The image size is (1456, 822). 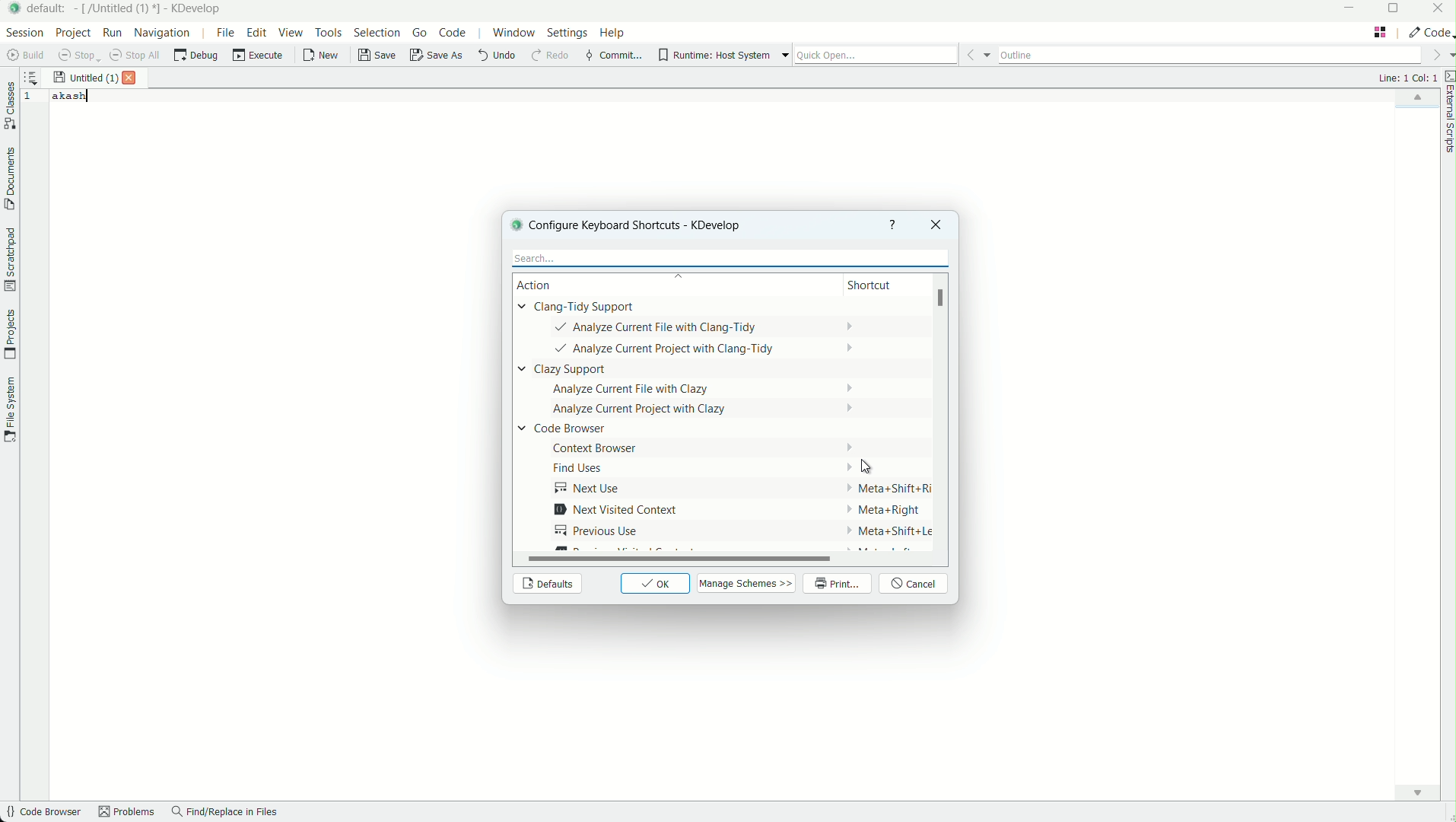 What do you see at coordinates (1397, 10) in the screenshot?
I see `maximize or restore` at bounding box center [1397, 10].